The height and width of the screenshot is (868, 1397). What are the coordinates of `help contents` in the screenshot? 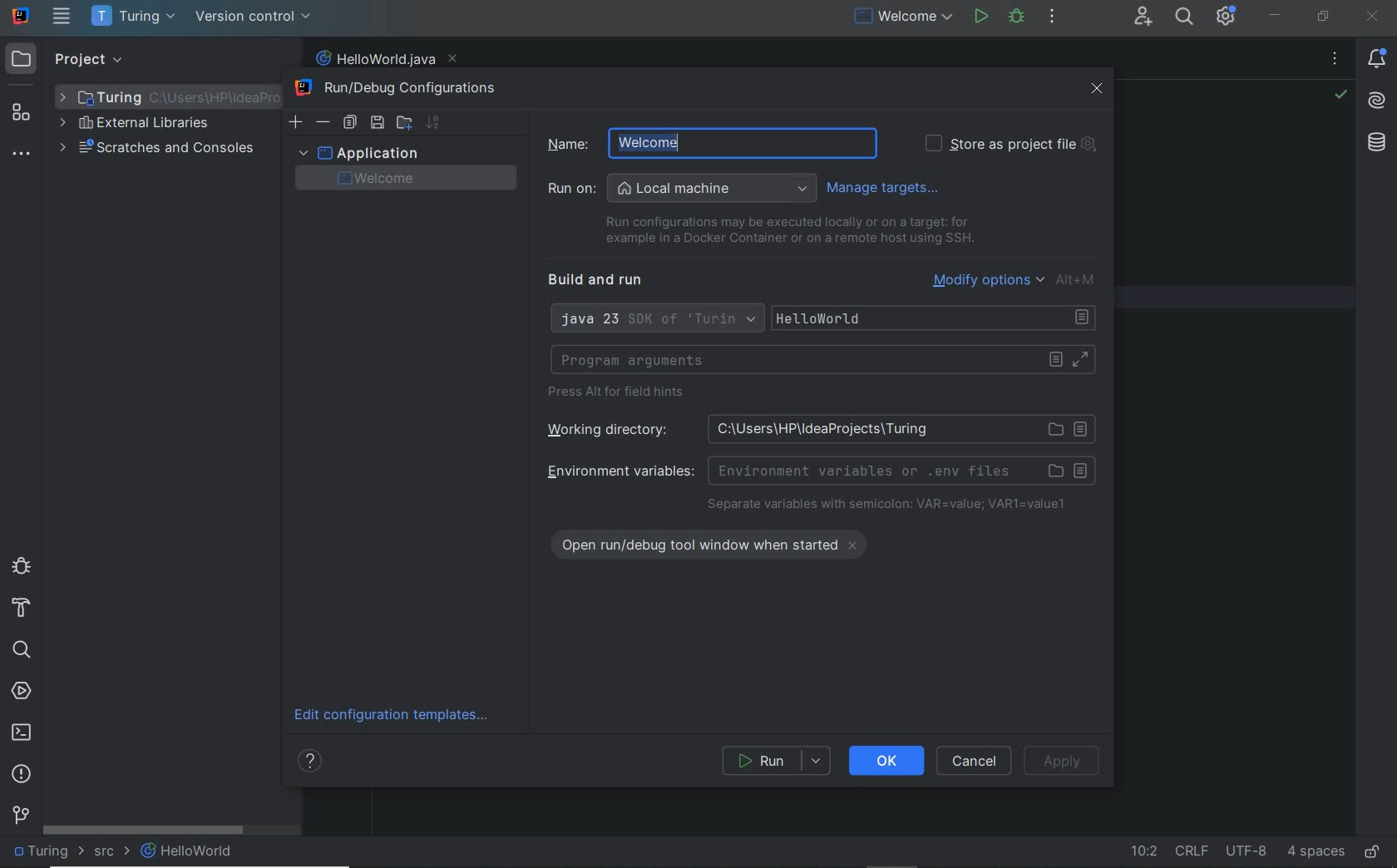 It's located at (313, 763).